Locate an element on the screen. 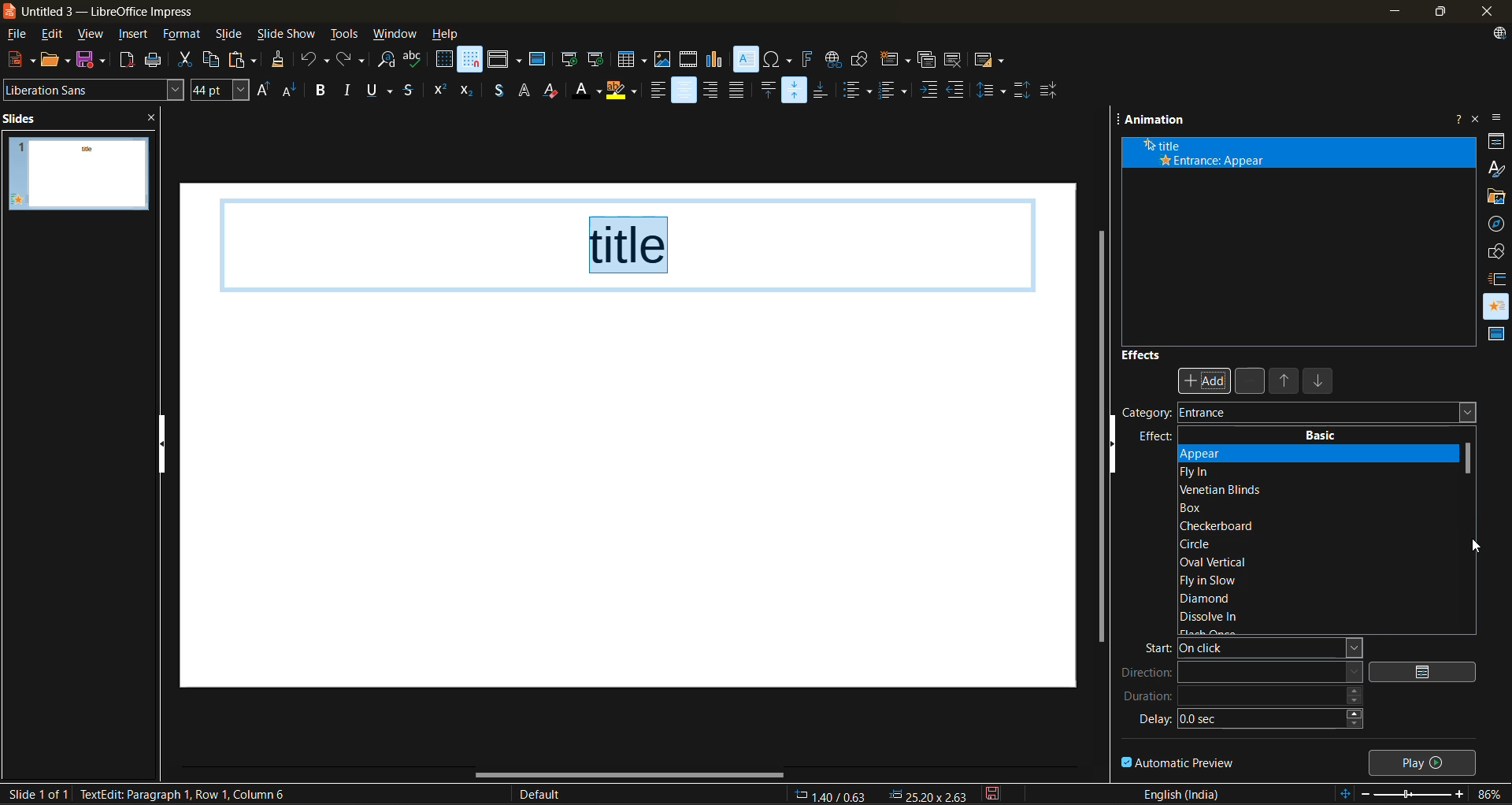 The image size is (1512, 805). close sidebar deck is located at coordinates (1477, 117).